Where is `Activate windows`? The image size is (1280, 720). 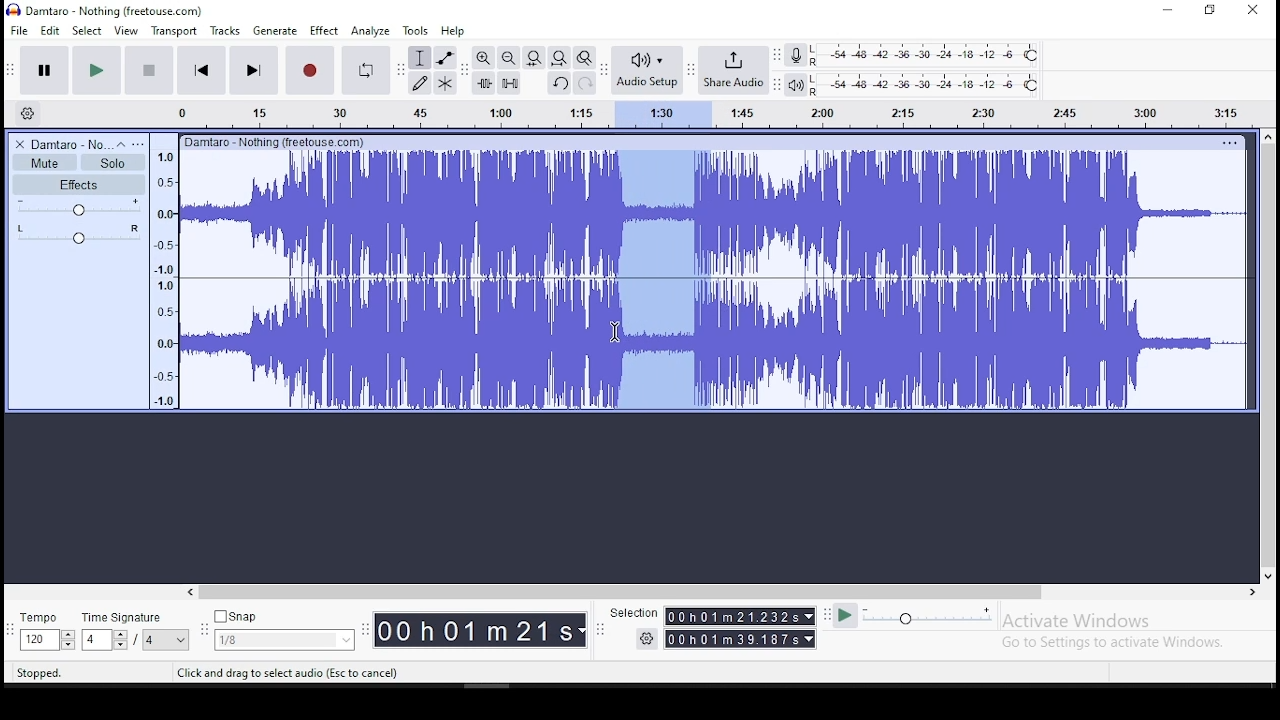 Activate windows is located at coordinates (1074, 621).